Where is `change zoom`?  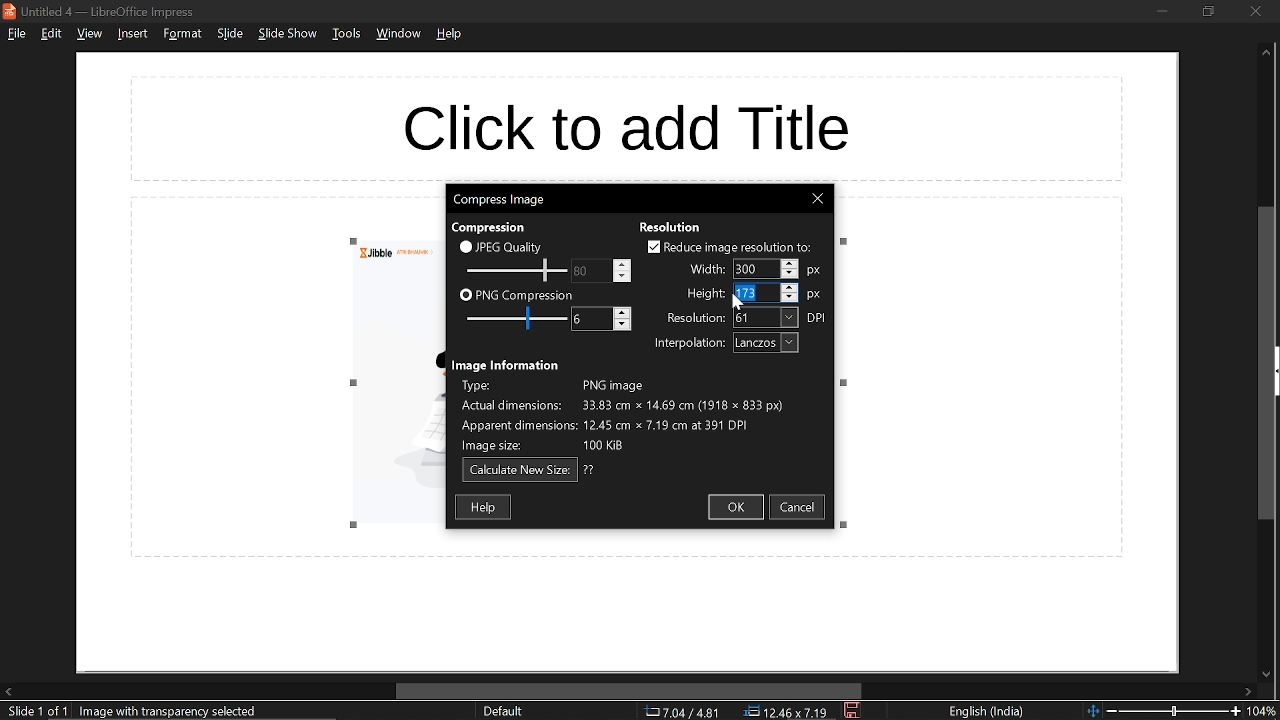
change zoom is located at coordinates (1162, 712).